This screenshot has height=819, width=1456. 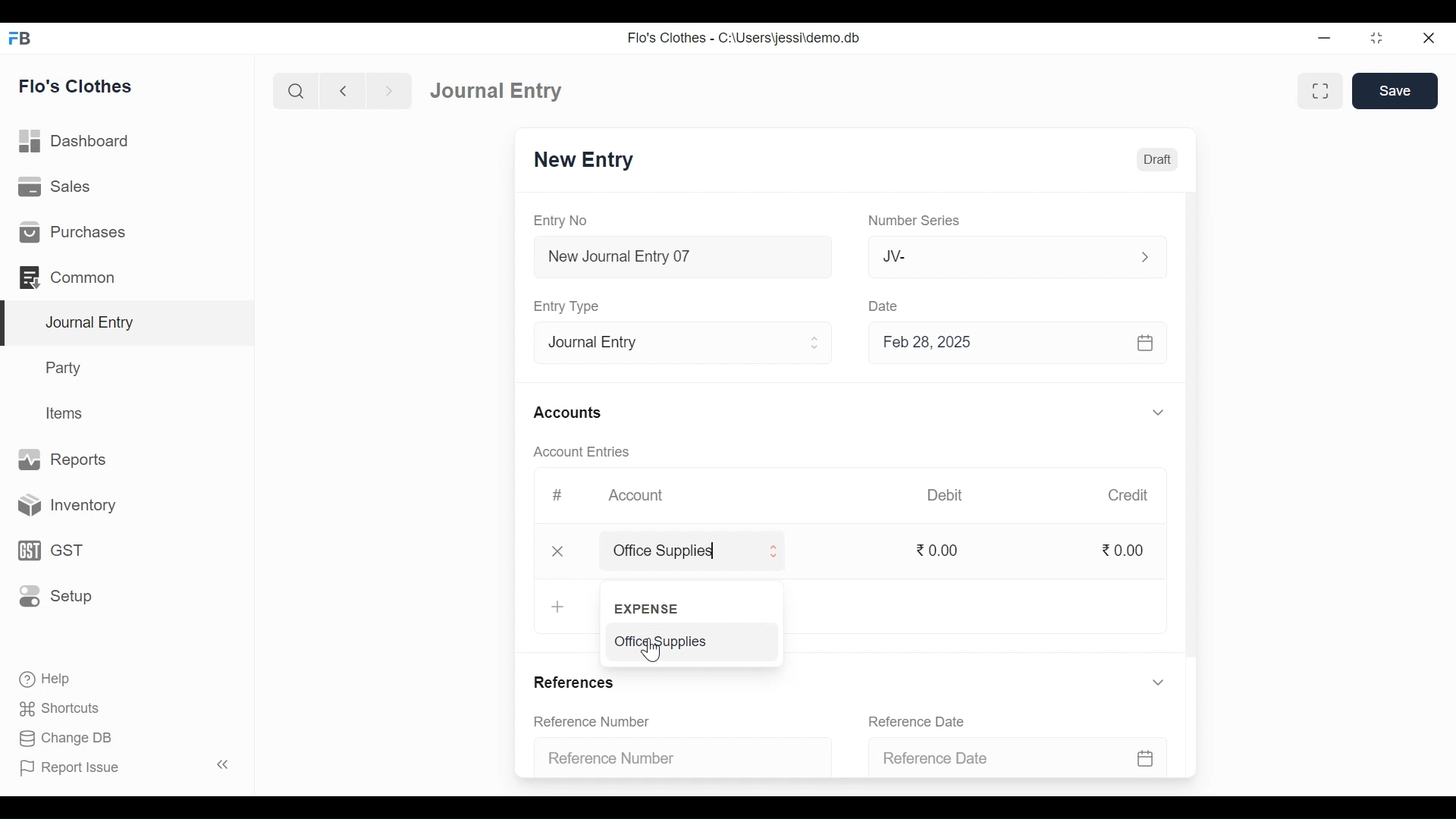 I want to click on Credit, so click(x=1129, y=496).